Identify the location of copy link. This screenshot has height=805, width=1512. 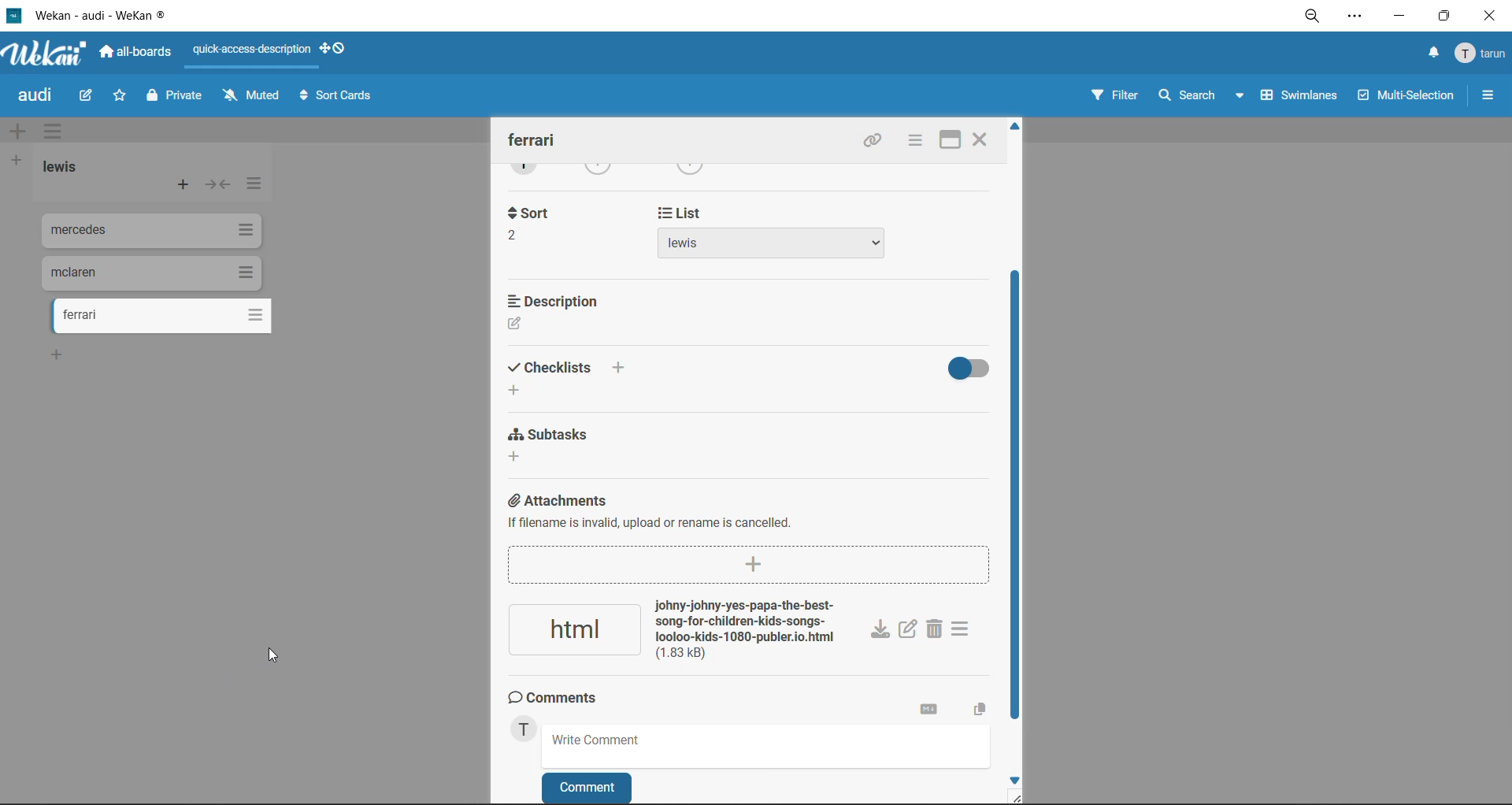
(872, 143).